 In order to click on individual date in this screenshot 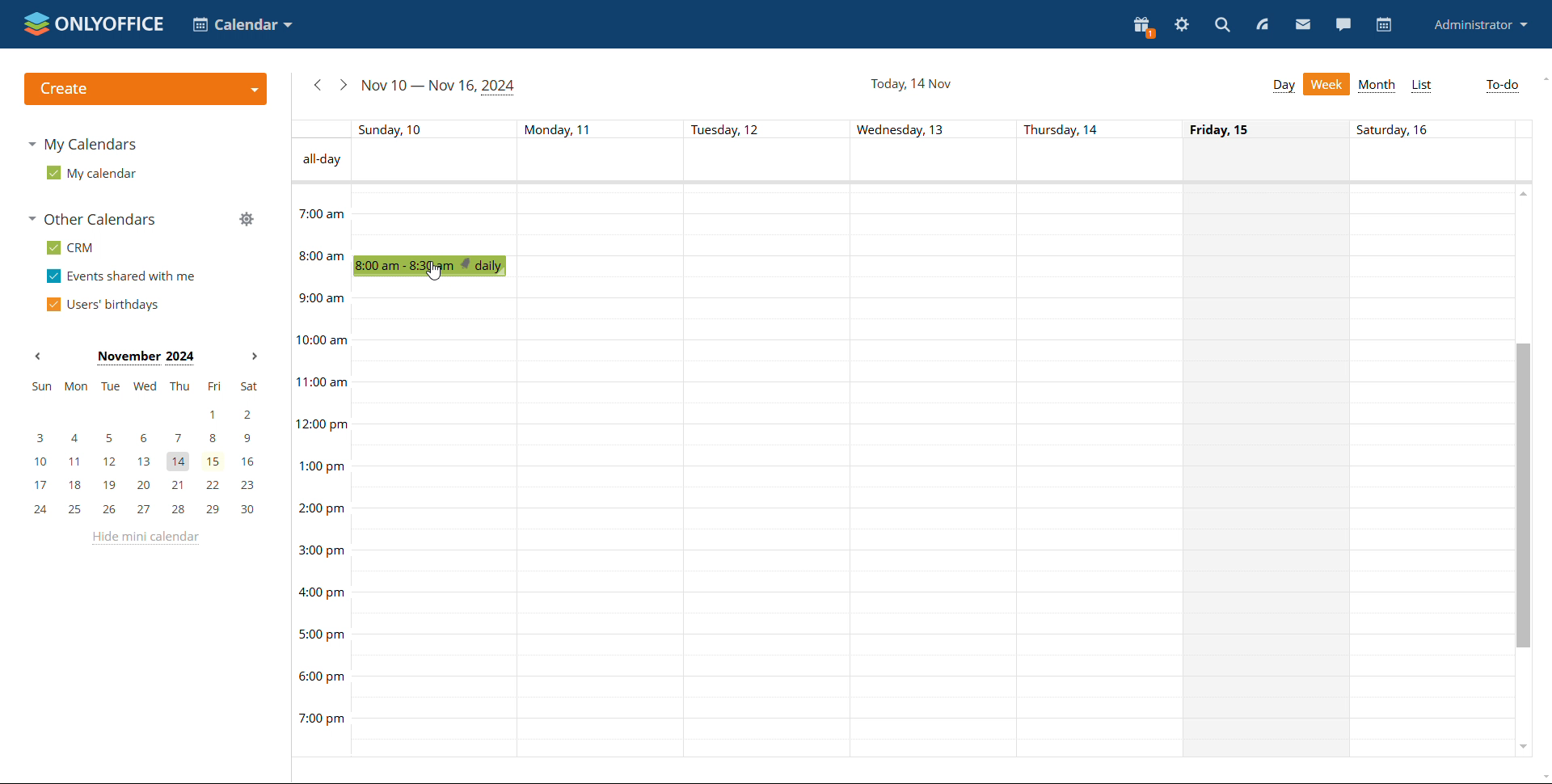, I will do `click(900, 129)`.